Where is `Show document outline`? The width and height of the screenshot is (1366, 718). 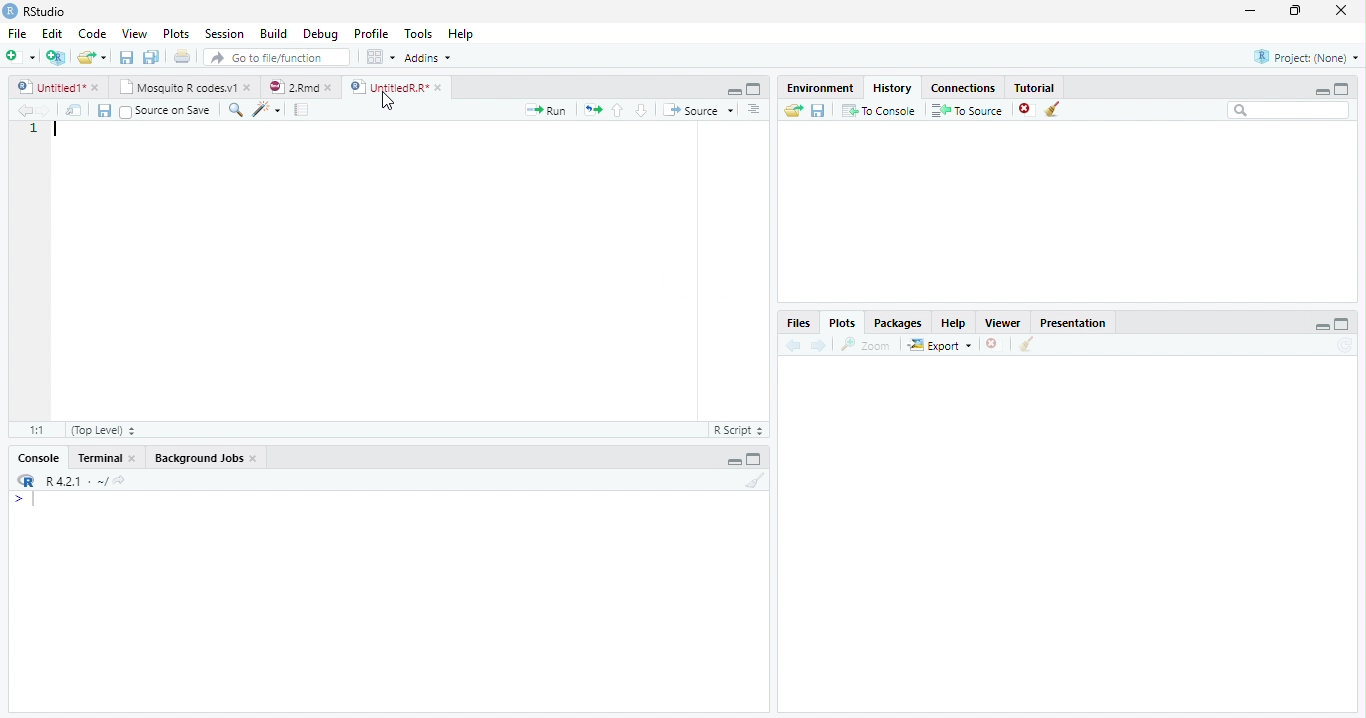 Show document outline is located at coordinates (753, 109).